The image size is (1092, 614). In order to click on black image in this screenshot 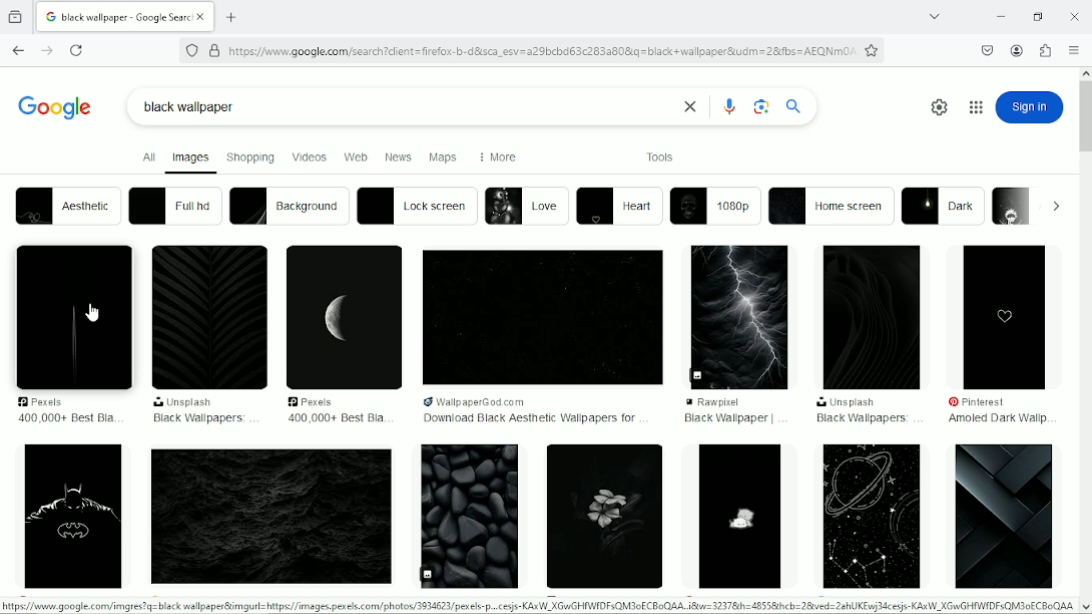, I will do `click(345, 317)`.